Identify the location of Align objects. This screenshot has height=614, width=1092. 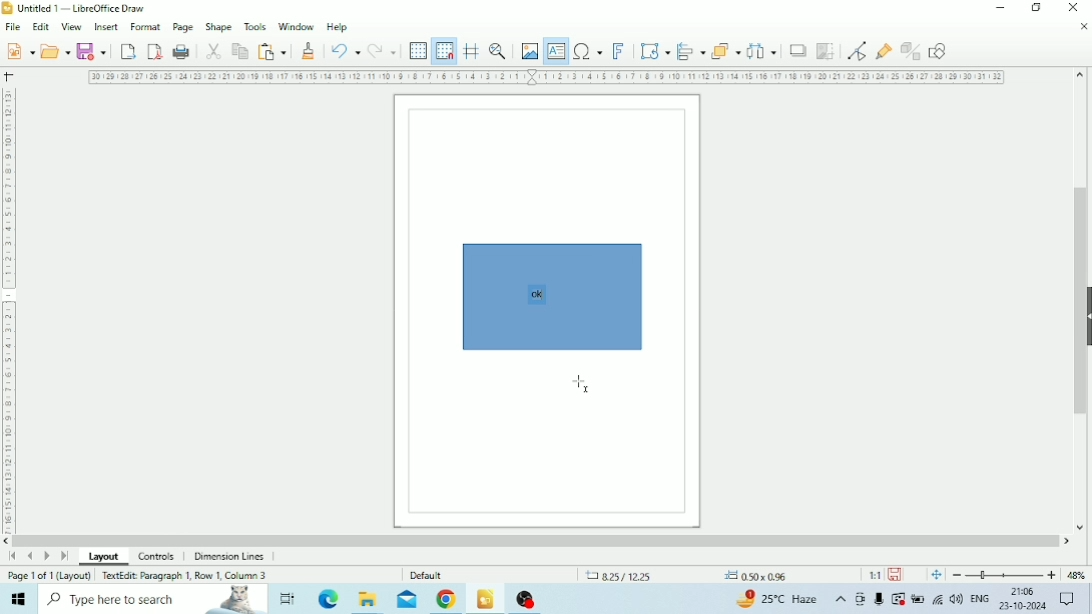
(690, 51).